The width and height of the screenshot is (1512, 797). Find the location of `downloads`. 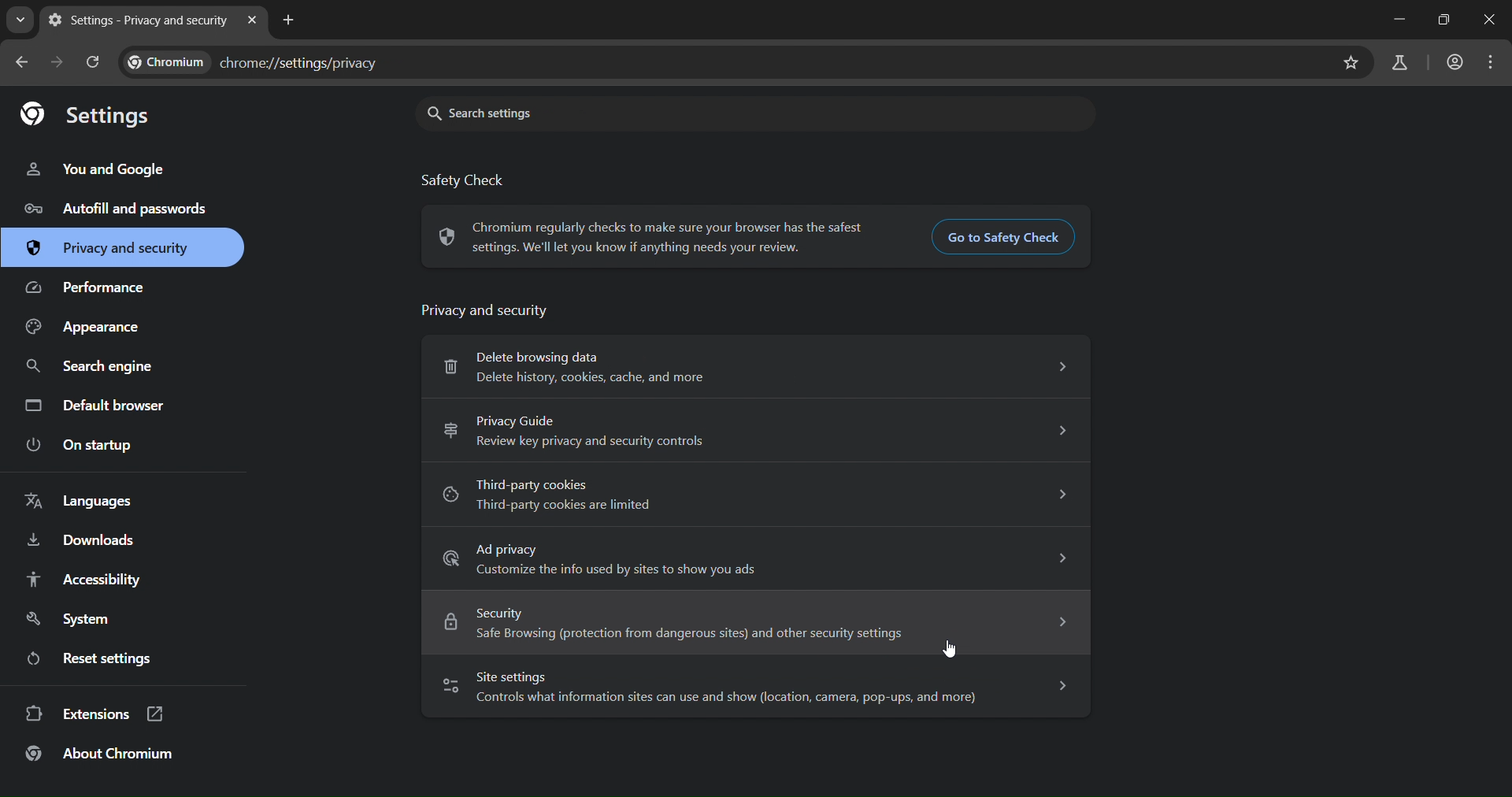

downloads is located at coordinates (88, 541).